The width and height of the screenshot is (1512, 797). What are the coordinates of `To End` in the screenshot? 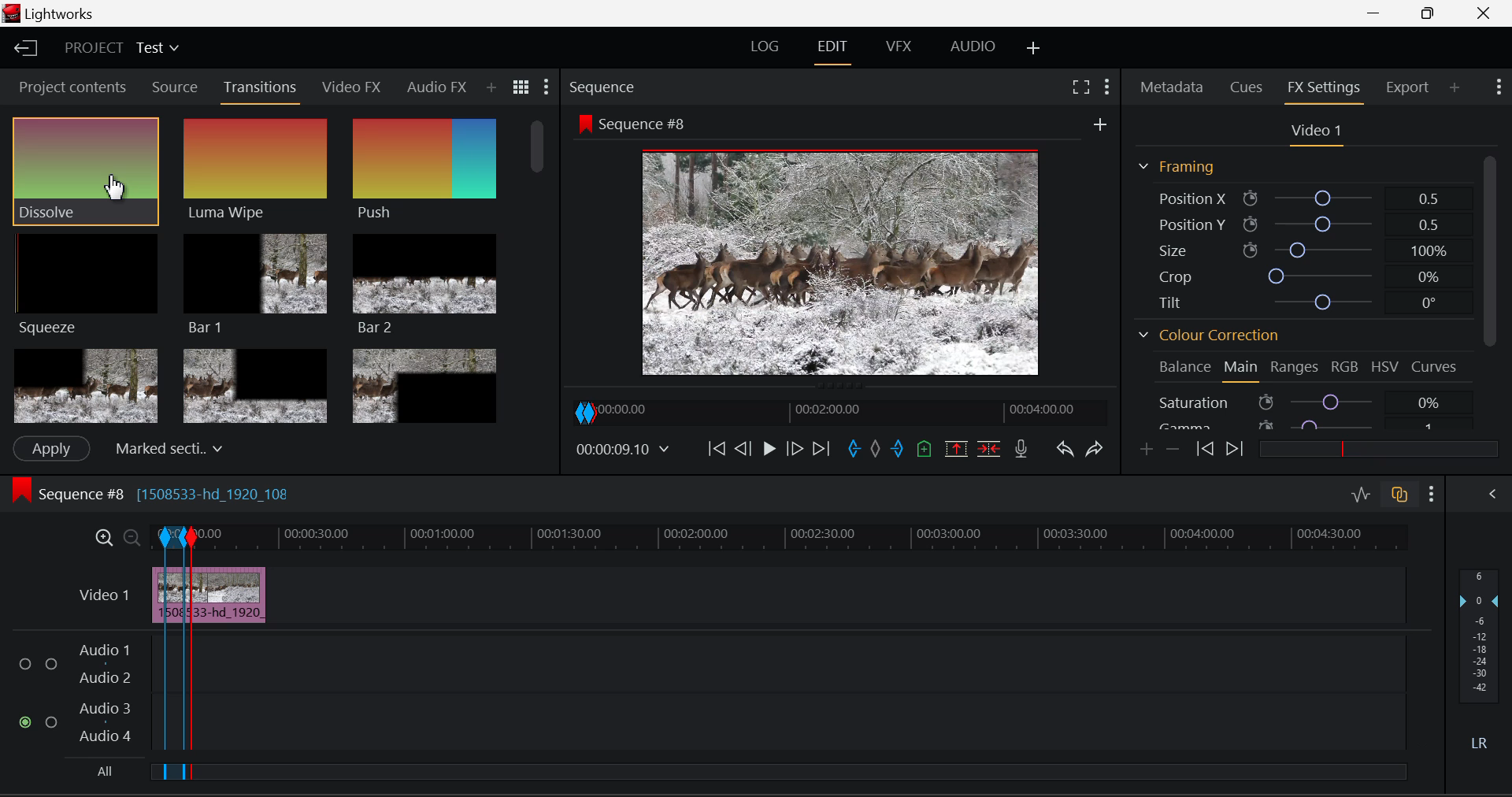 It's located at (822, 451).